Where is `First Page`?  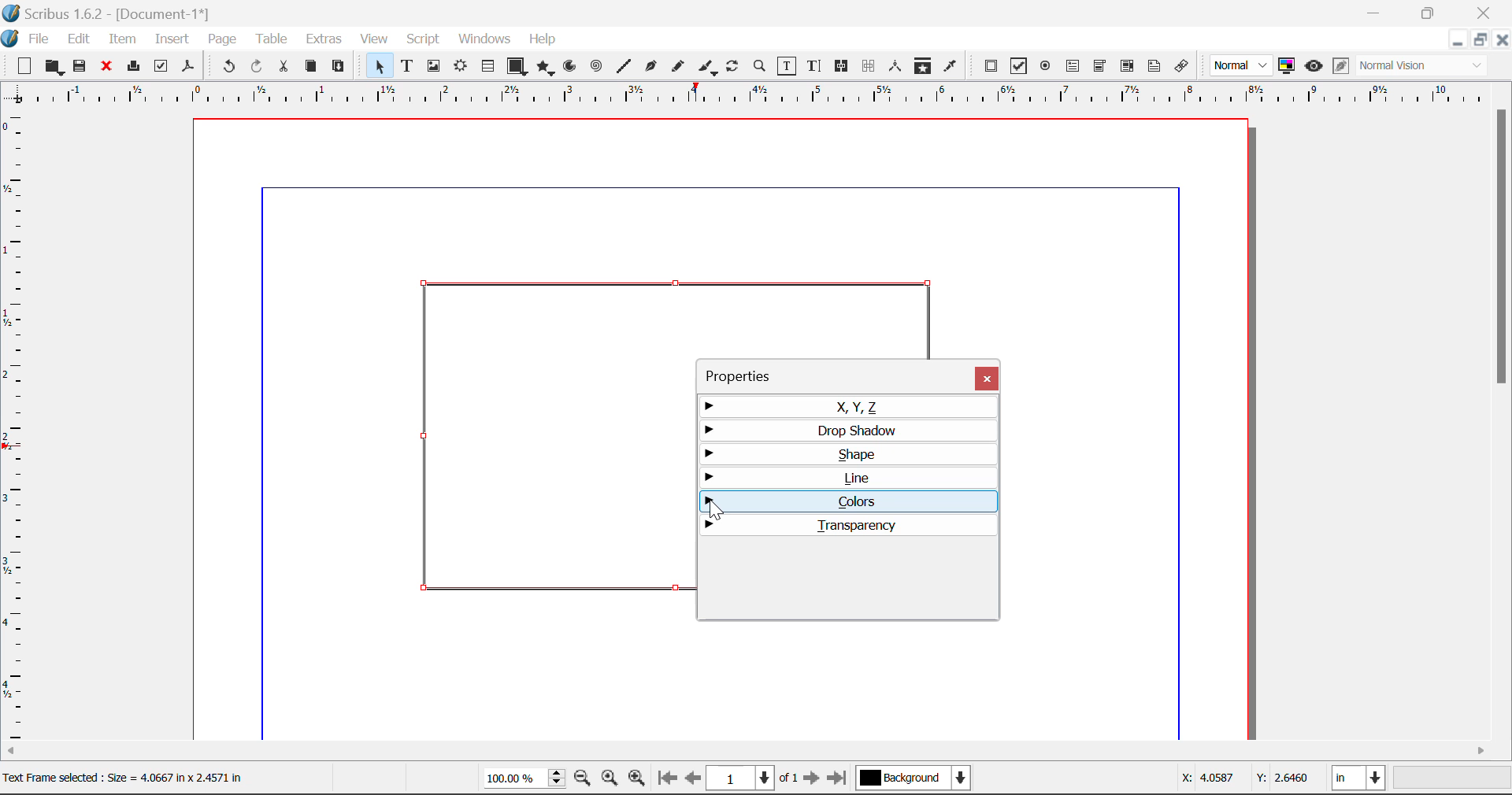 First Page is located at coordinates (667, 780).